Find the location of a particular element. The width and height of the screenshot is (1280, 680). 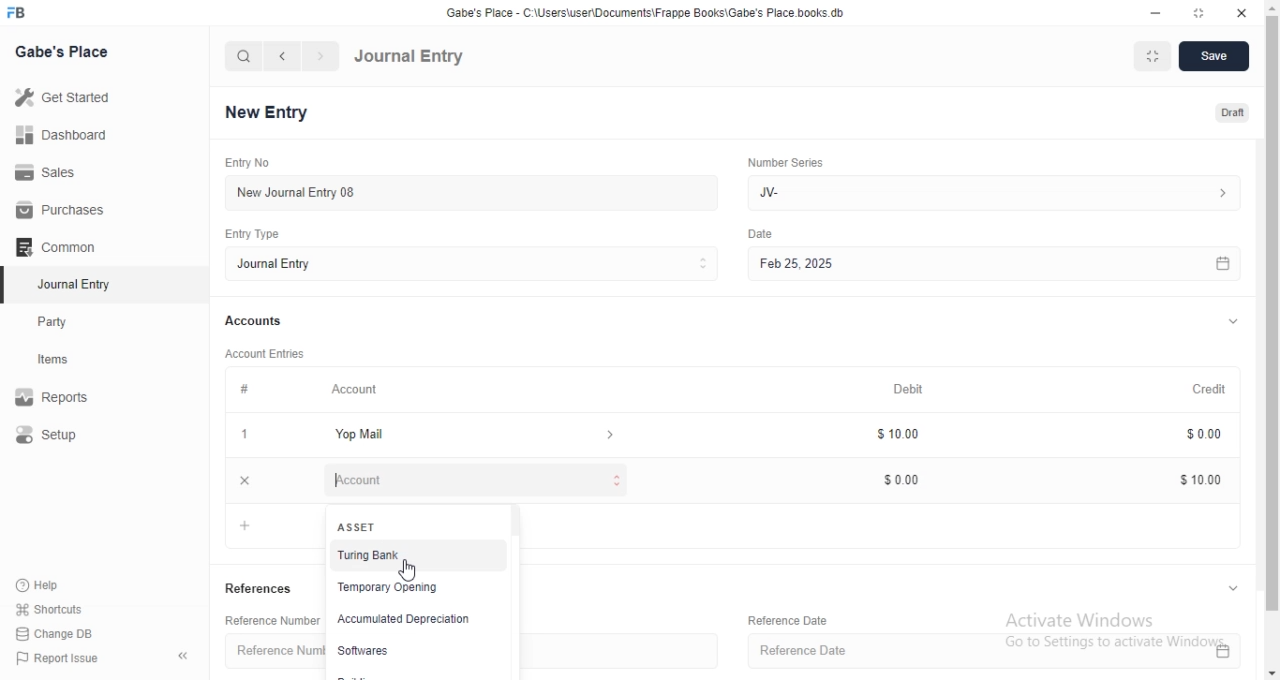

Journal Entry is located at coordinates (474, 265).